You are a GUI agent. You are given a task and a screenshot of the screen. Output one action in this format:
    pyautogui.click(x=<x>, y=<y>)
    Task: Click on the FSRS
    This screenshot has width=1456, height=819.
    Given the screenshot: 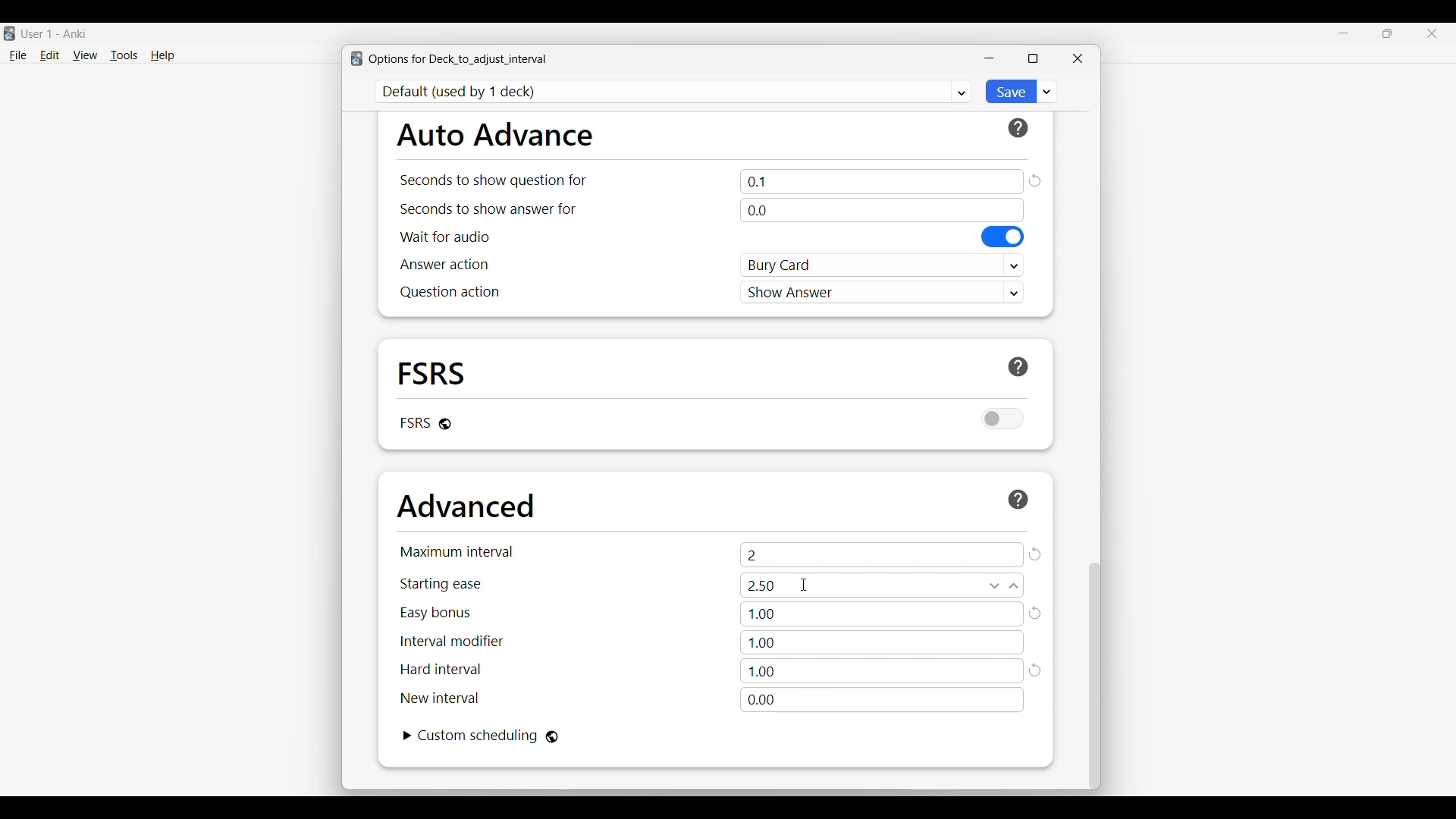 What is the action you would take?
    pyautogui.click(x=432, y=372)
    